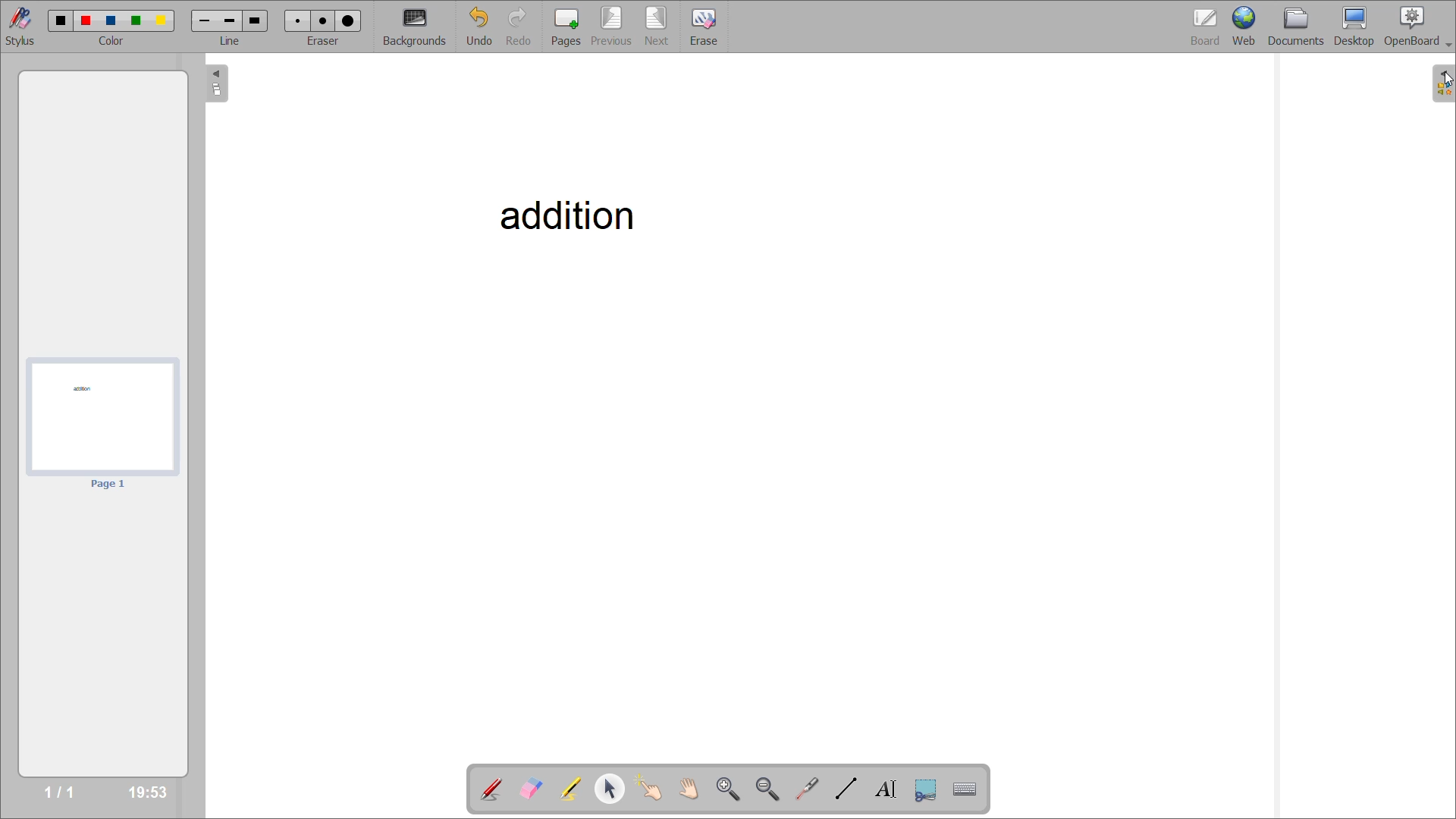  I want to click on interact with items, so click(654, 789).